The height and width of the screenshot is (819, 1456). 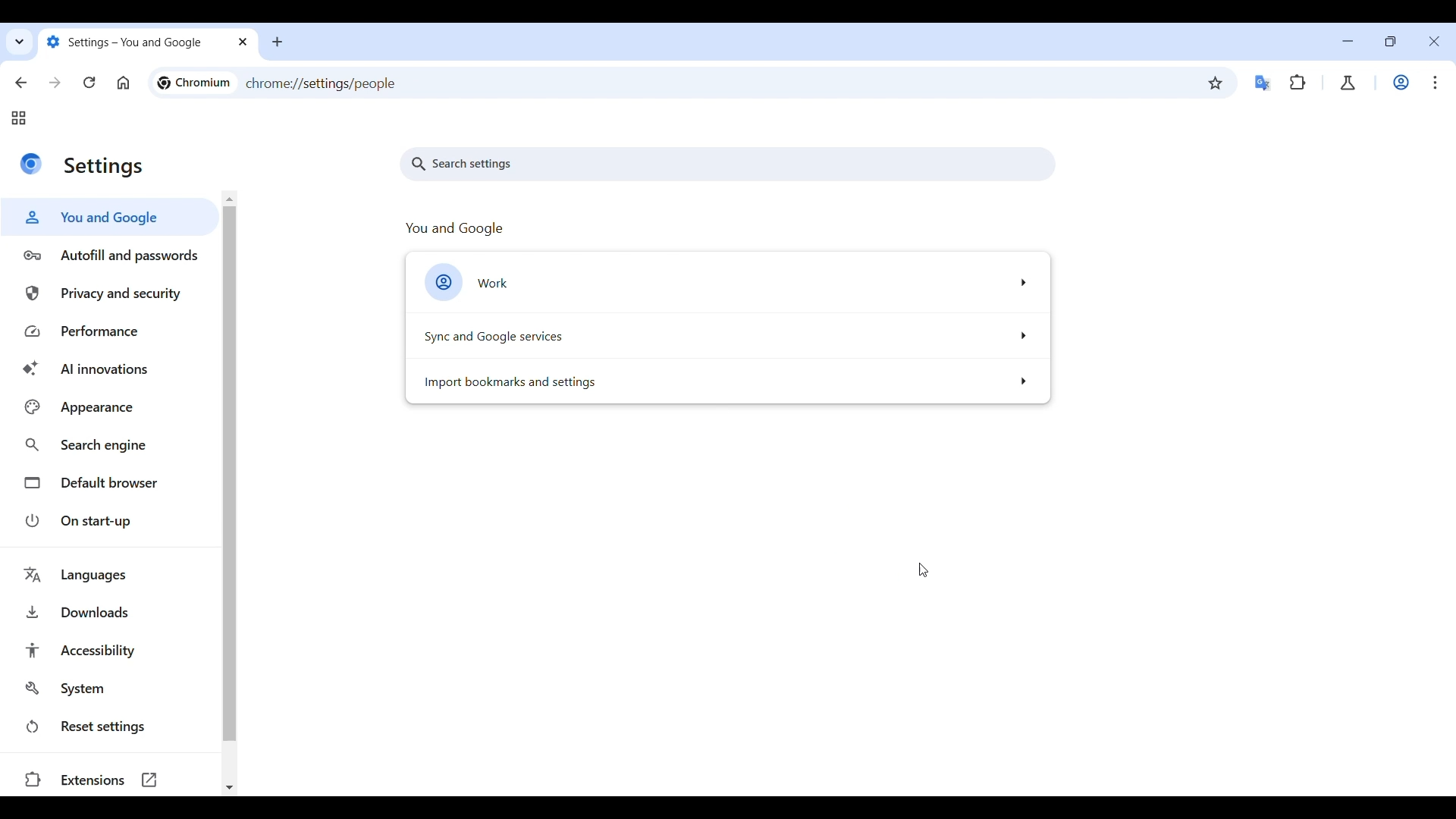 What do you see at coordinates (152, 42) in the screenshot?
I see `settings- you and google` at bounding box center [152, 42].